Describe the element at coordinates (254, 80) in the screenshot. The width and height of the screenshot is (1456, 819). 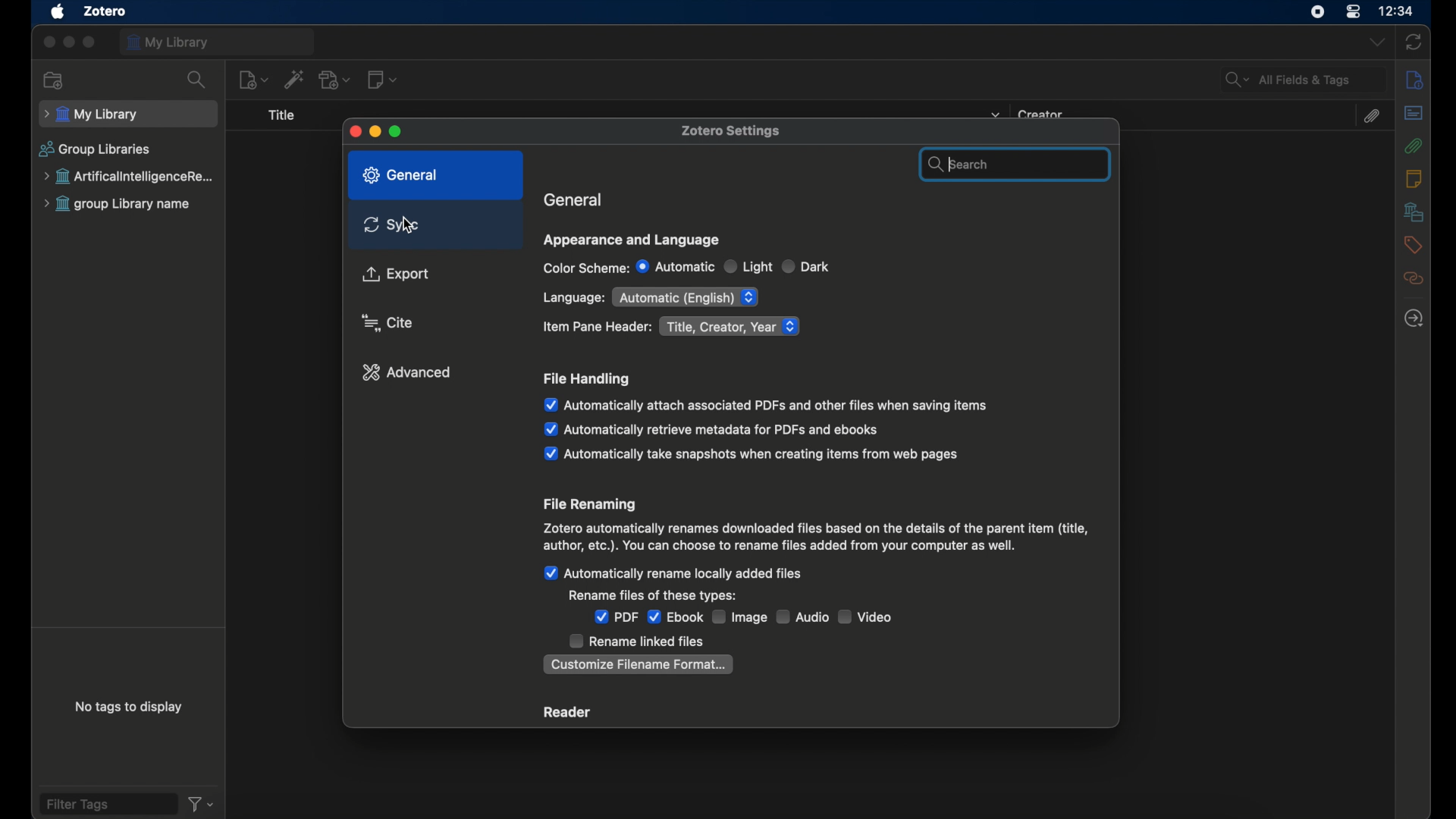
I see `new item` at that location.